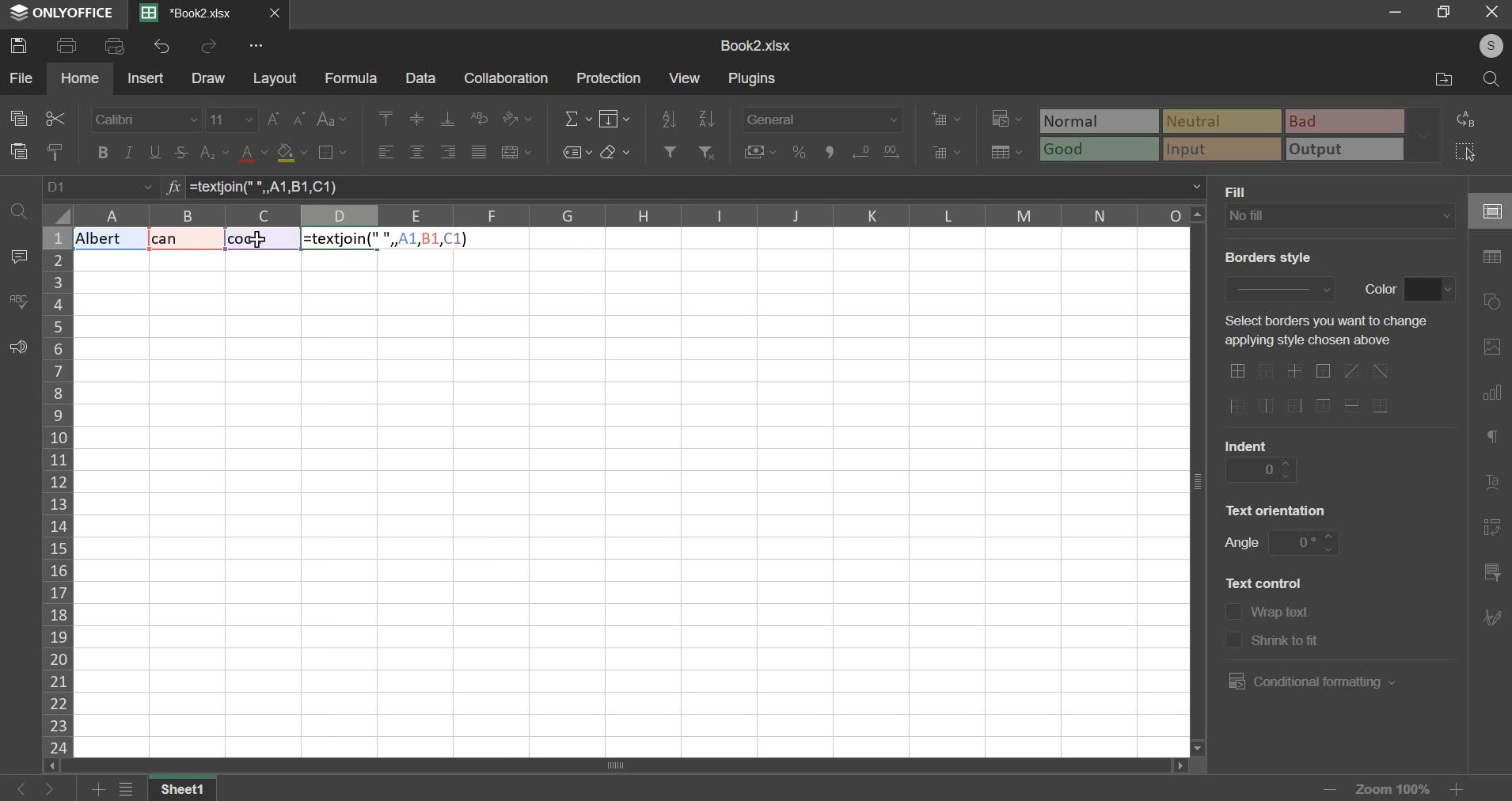 The height and width of the screenshot is (801, 1512). What do you see at coordinates (1266, 257) in the screenshot?
I see `text` at bounding box center [1266, 257].